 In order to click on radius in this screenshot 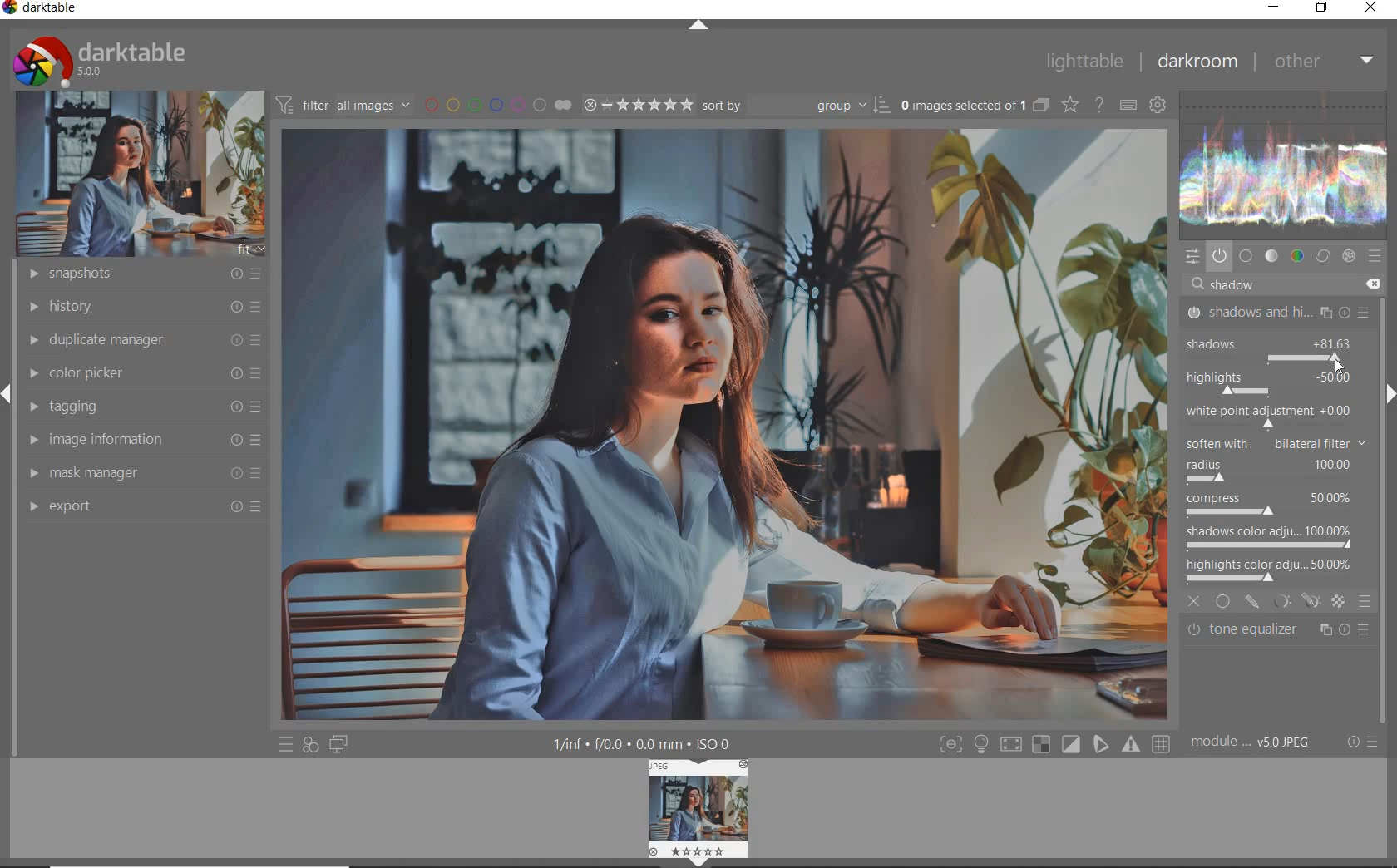, I will do `click(1268, 471)`.